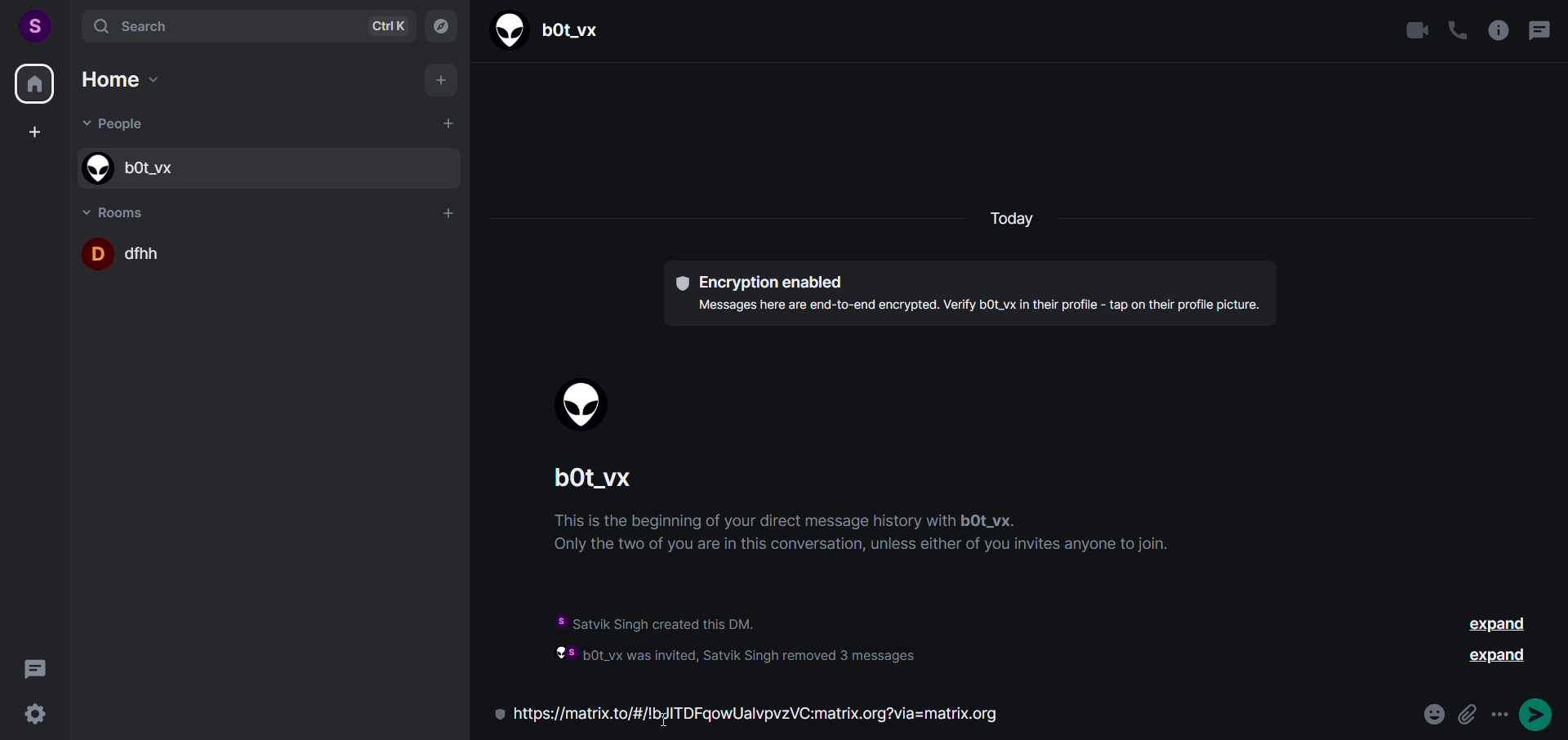 The width and height of the screenshot is (1568, 740). Describe the element at coordinates (264, 167) in the screenshot. I see `people name` at that location.